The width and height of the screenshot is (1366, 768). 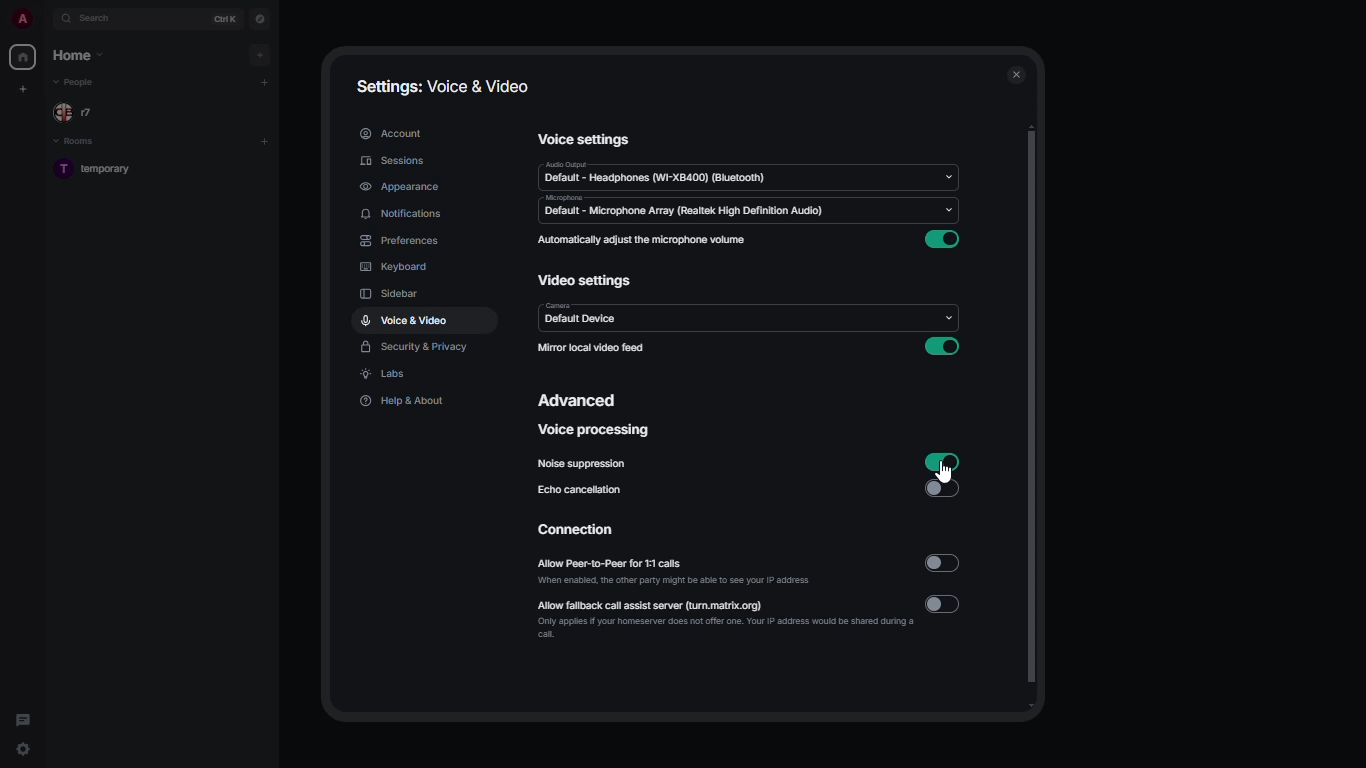 I want to click on ctrl K, so click(x=229, y=18).